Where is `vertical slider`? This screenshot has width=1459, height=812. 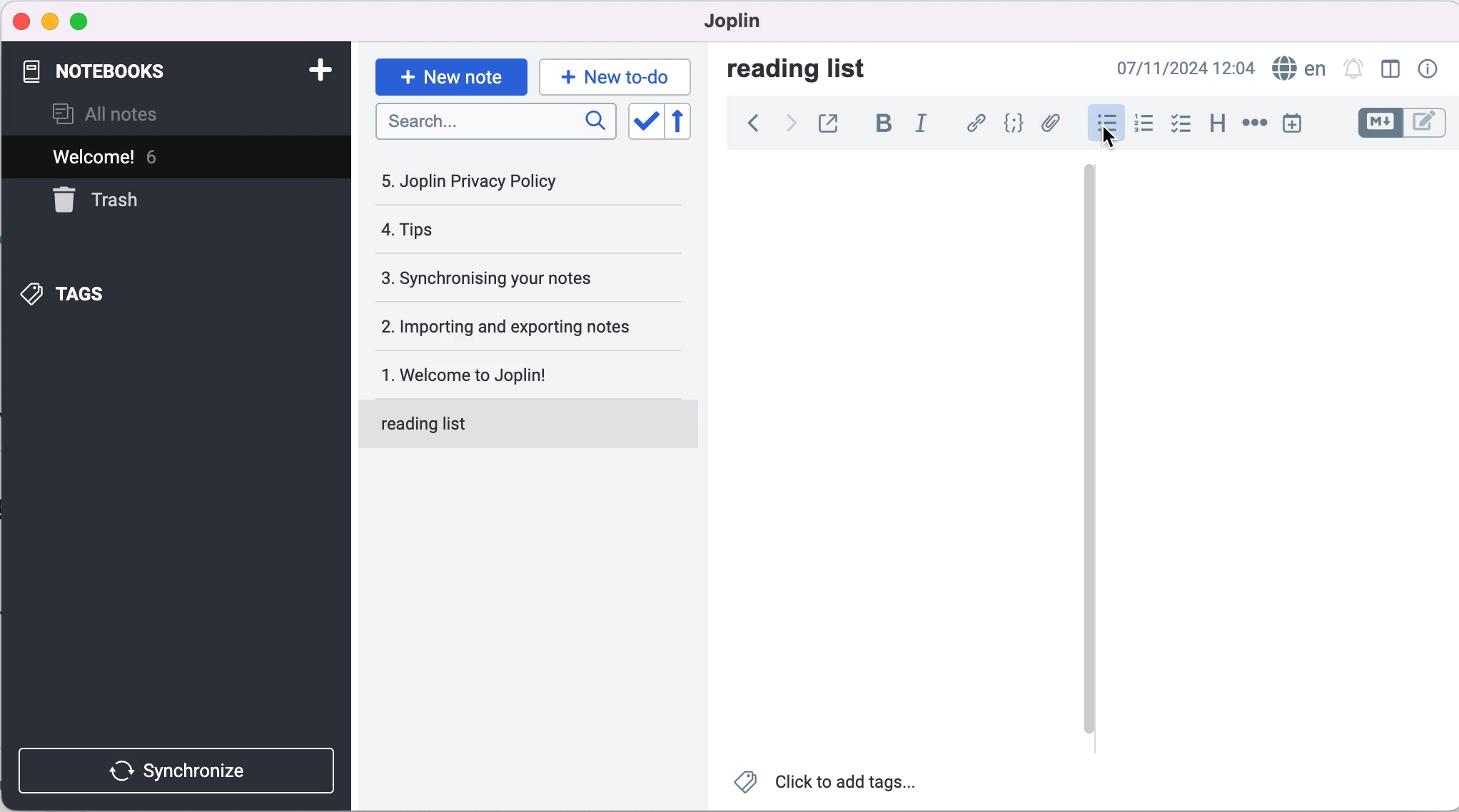
vertical slider is located at coordinates (1089, 450).